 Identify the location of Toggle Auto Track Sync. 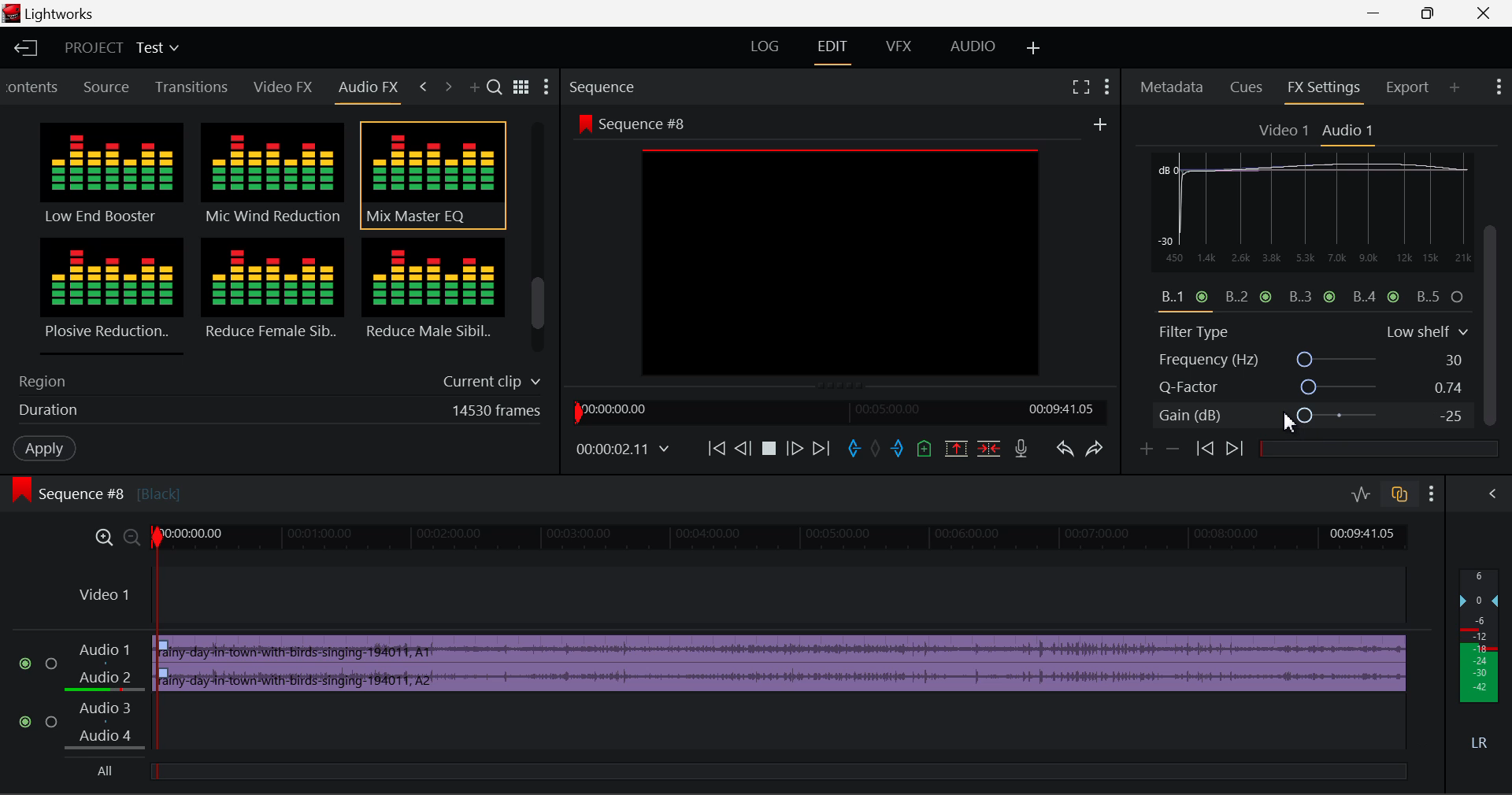
(1399, 495).